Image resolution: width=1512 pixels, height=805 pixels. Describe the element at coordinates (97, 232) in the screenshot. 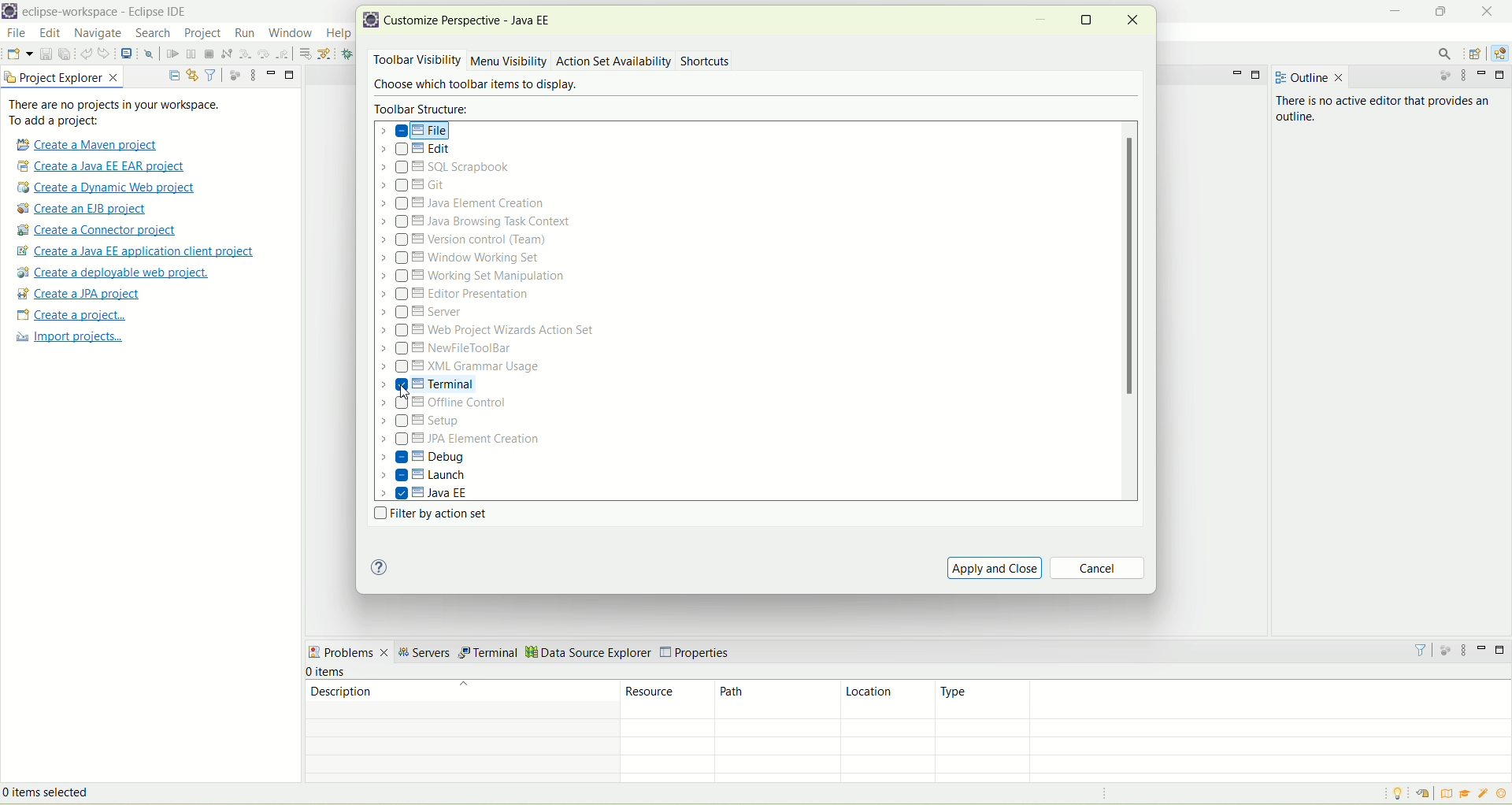

I see `create a connector project` at that location.